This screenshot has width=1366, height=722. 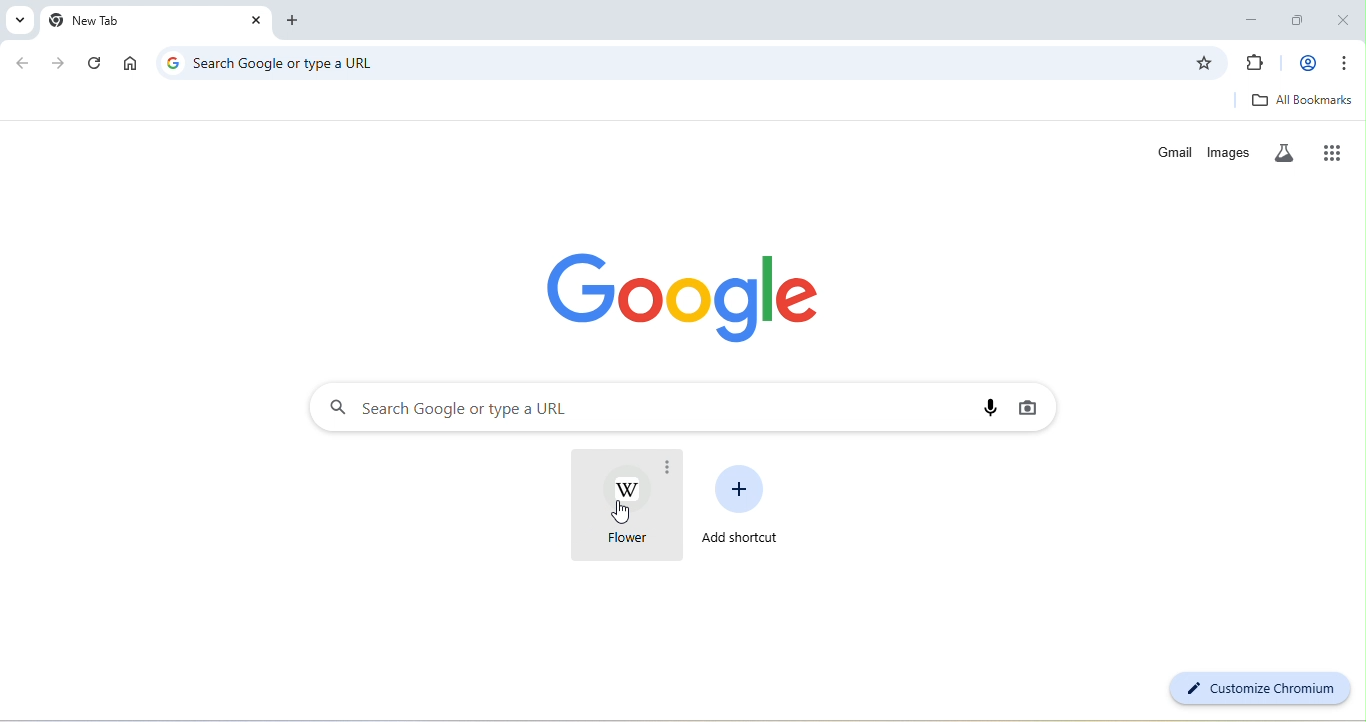 What do you see at coordinates (1175, 152) in the screenshot?
I see `gmail` at bounding box center [1175, 152].